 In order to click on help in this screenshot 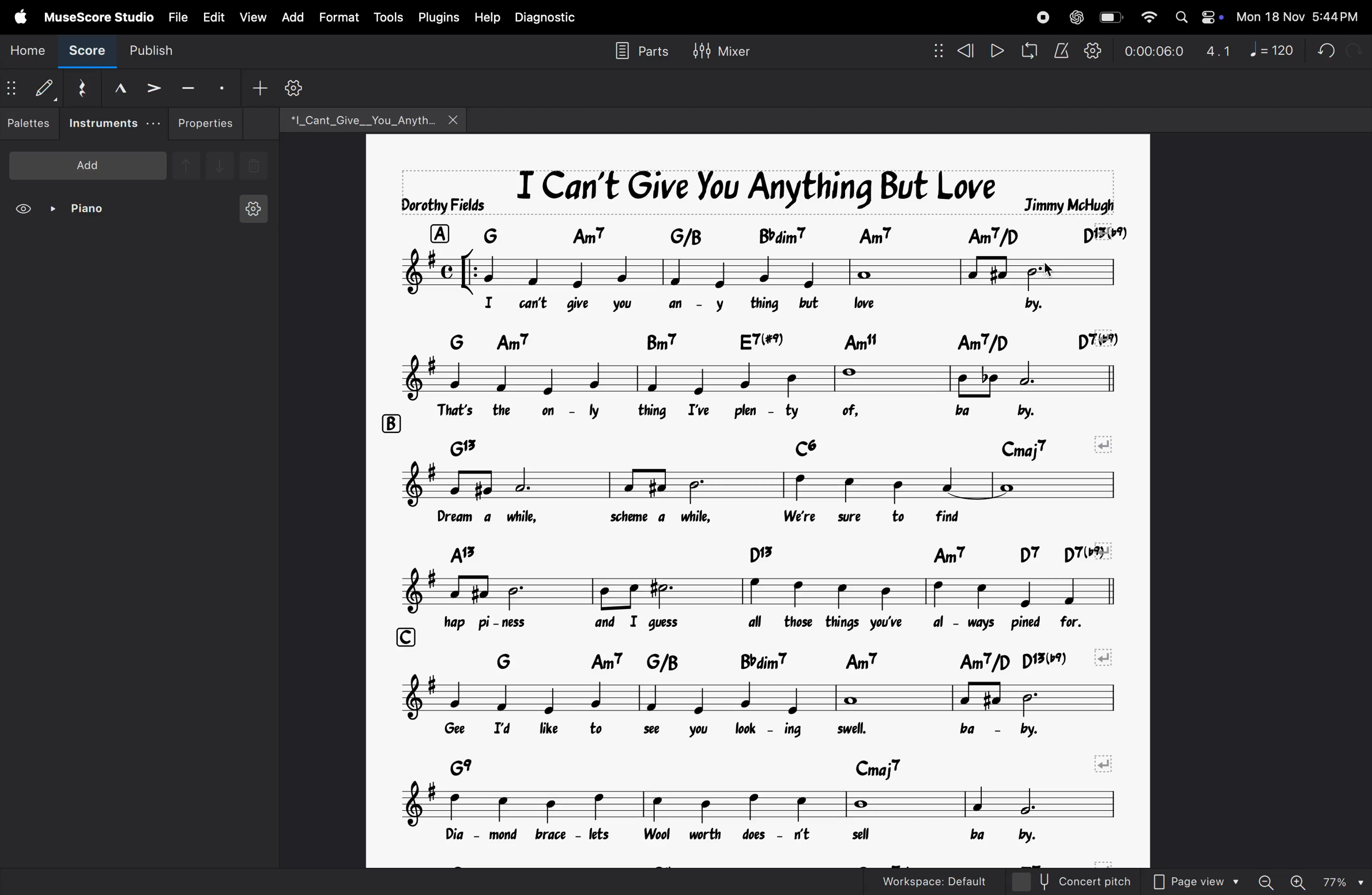, I will do `click(488, 18)`.